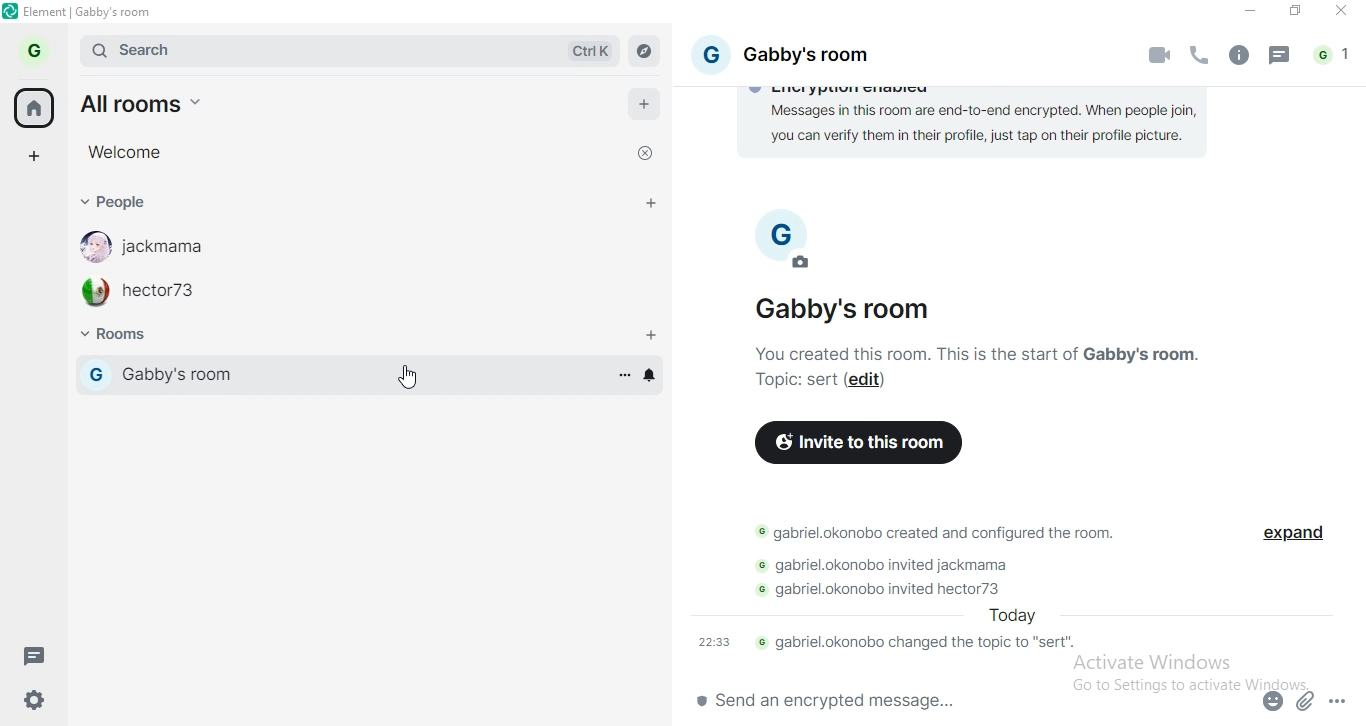 The image size is (1366, 726). Describe the element at coordinates (90, 246) in the screenshot. I see `Profile image` at that location.